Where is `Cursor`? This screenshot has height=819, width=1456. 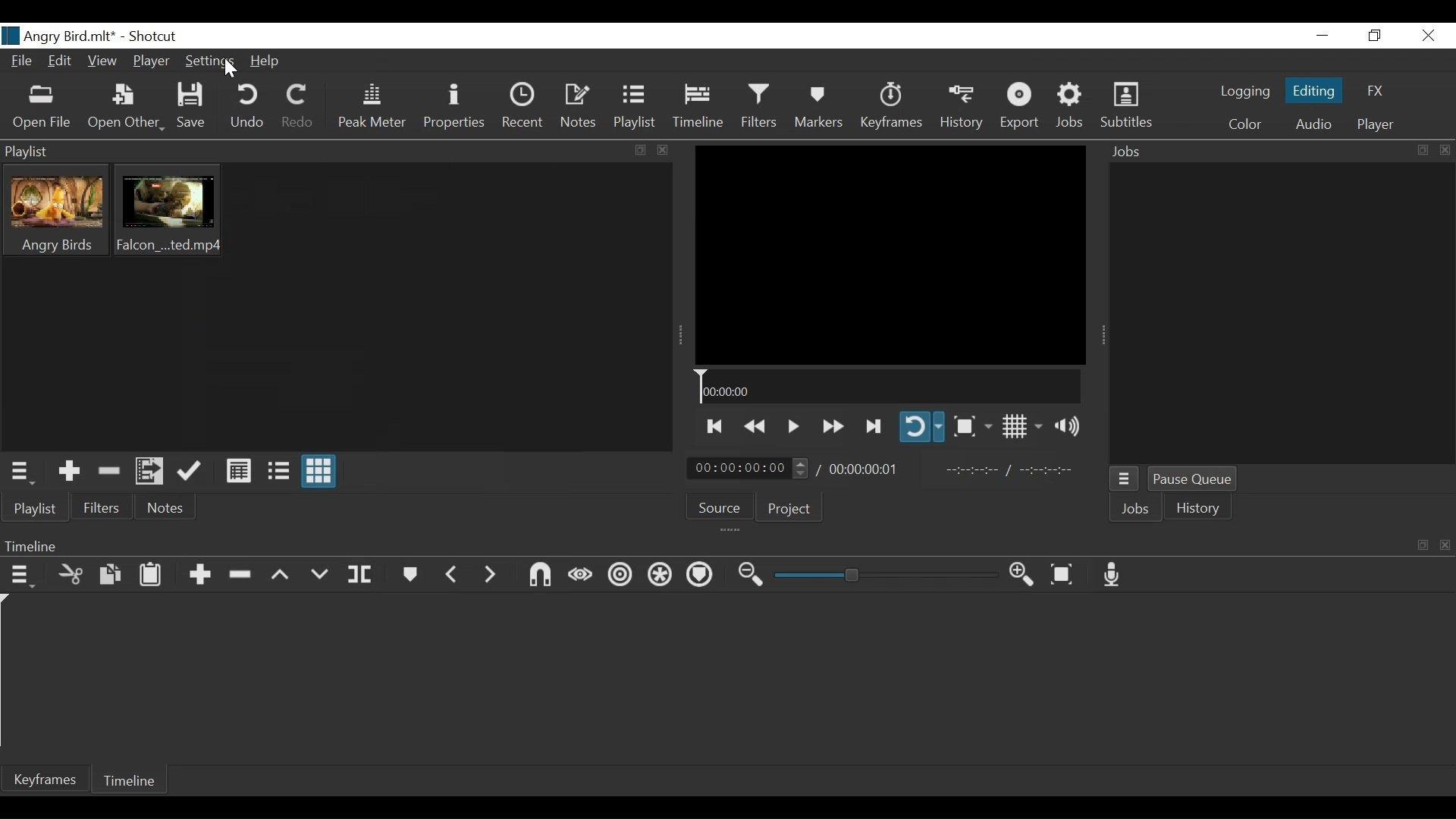
Cursor is located at coordinates (231, 71).